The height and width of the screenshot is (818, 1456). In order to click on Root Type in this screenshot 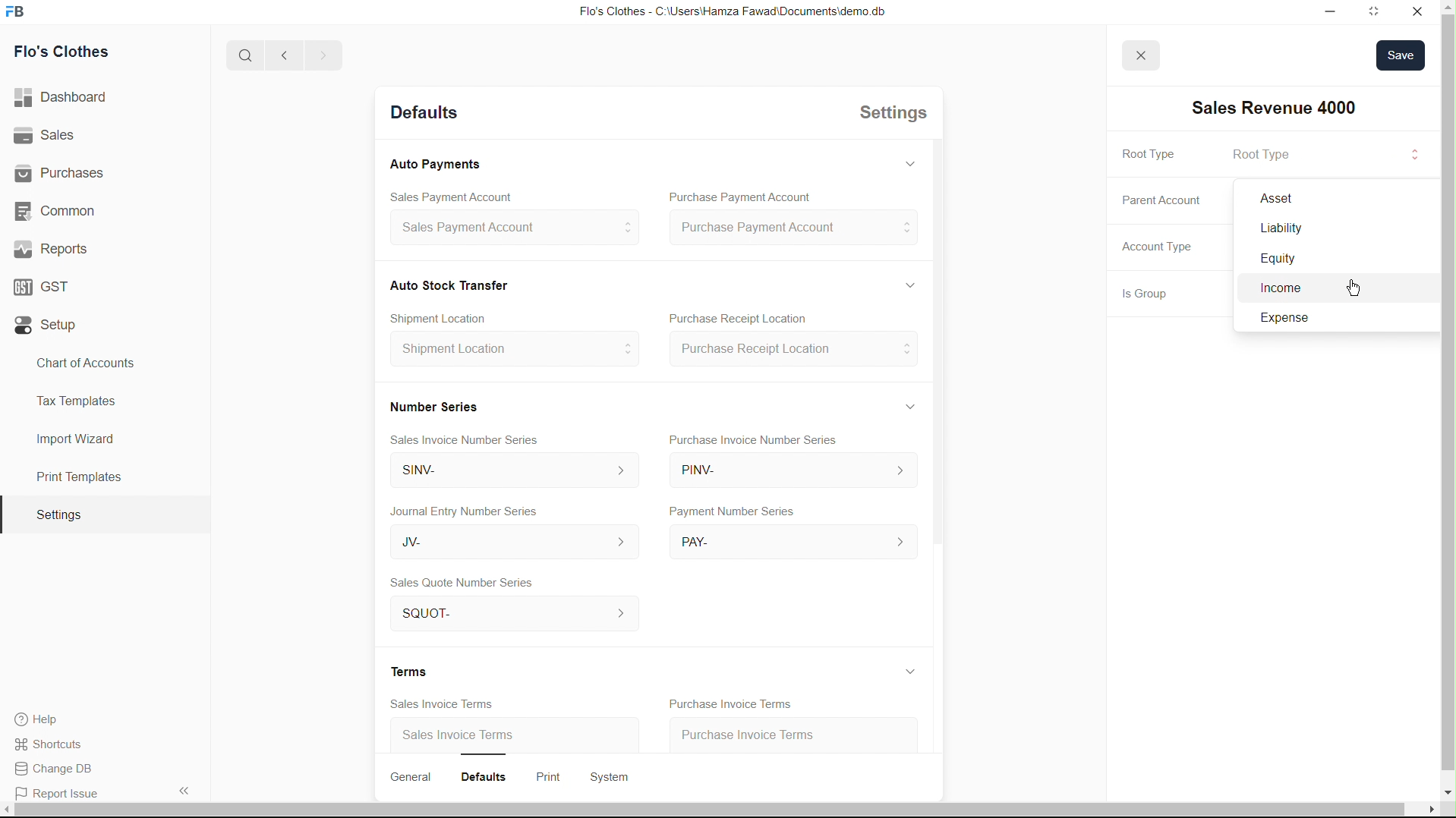, I will do `click(1162, 155)`.